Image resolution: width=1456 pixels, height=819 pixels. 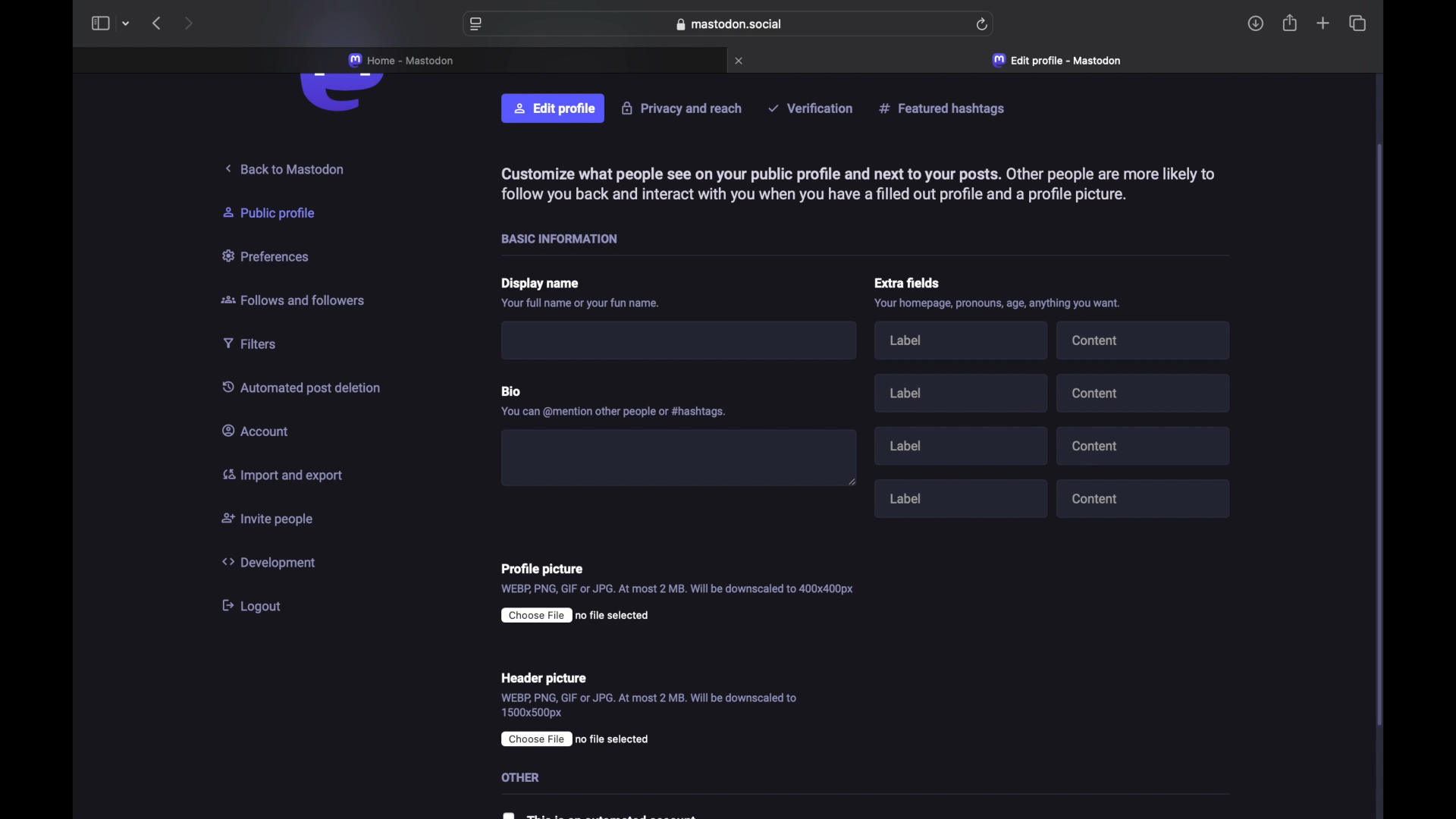 What do you see at coordinates (276, 212) in the screenshot?
I see `public profile` at bounding box center [276, 212].